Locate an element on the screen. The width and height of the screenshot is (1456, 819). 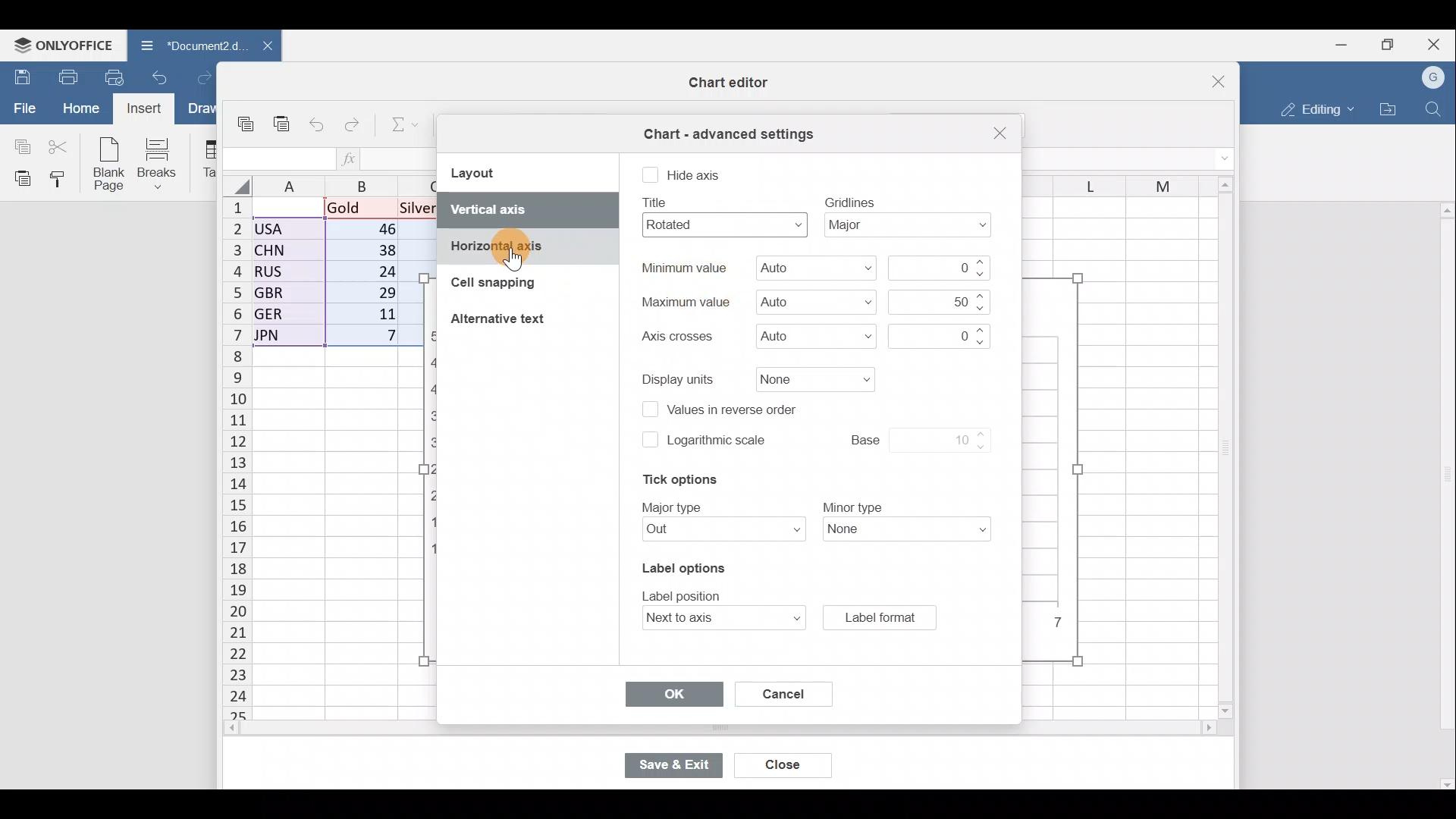
ONLYOFFICE Menu is located at coordinates (59, 45).